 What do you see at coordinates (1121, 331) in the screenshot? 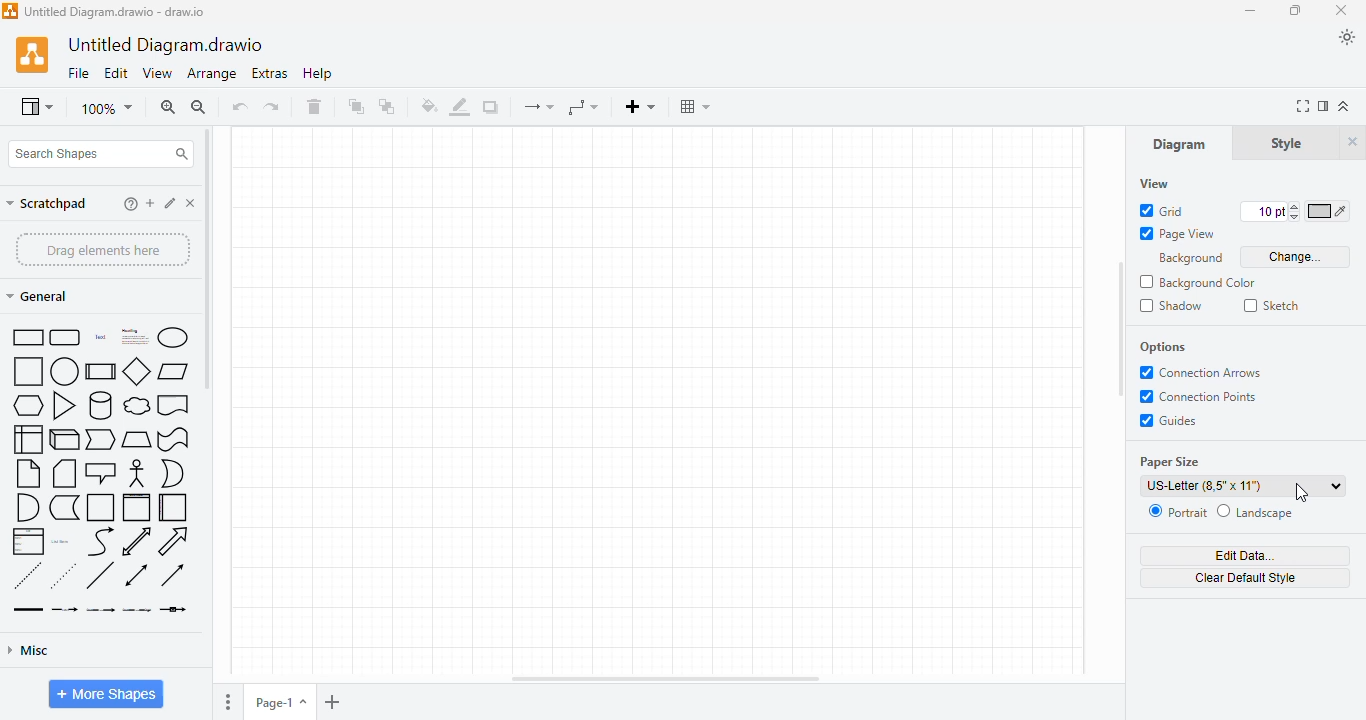
I see `vertical scroll bar` at bounding box center [1121, 331].